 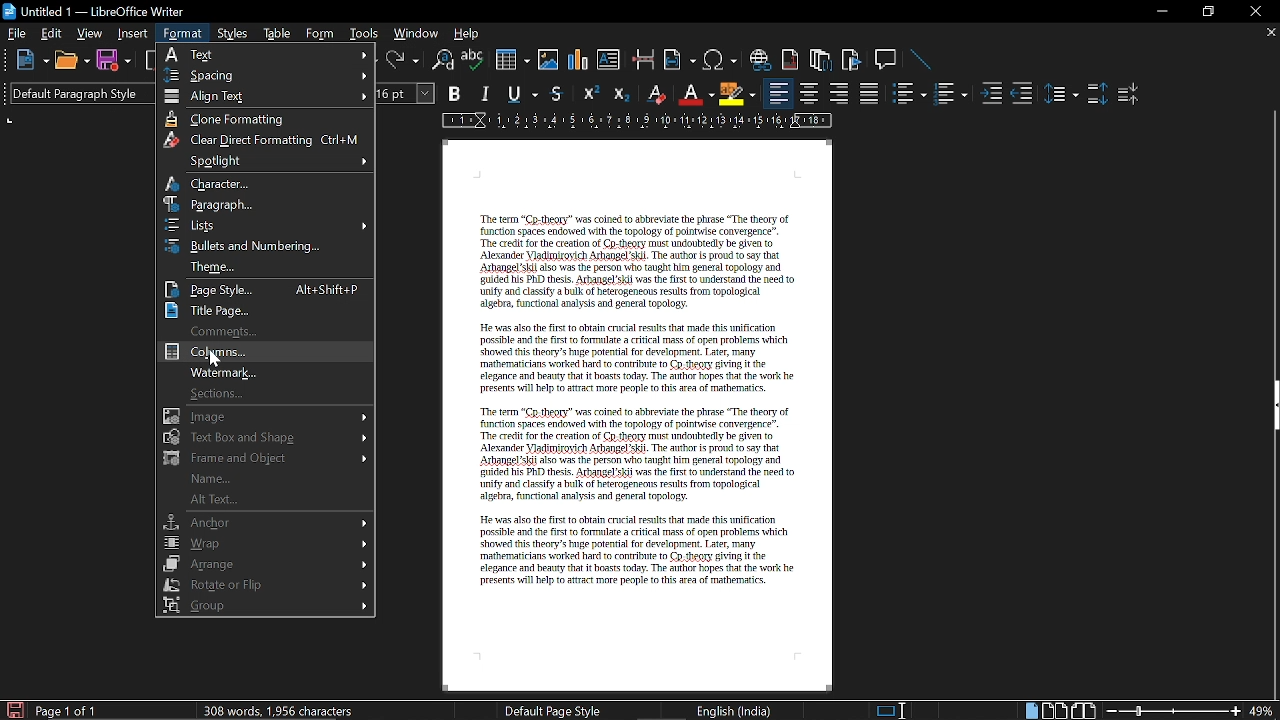 I want to click on insert Symbol, so click(x=720, y=61).